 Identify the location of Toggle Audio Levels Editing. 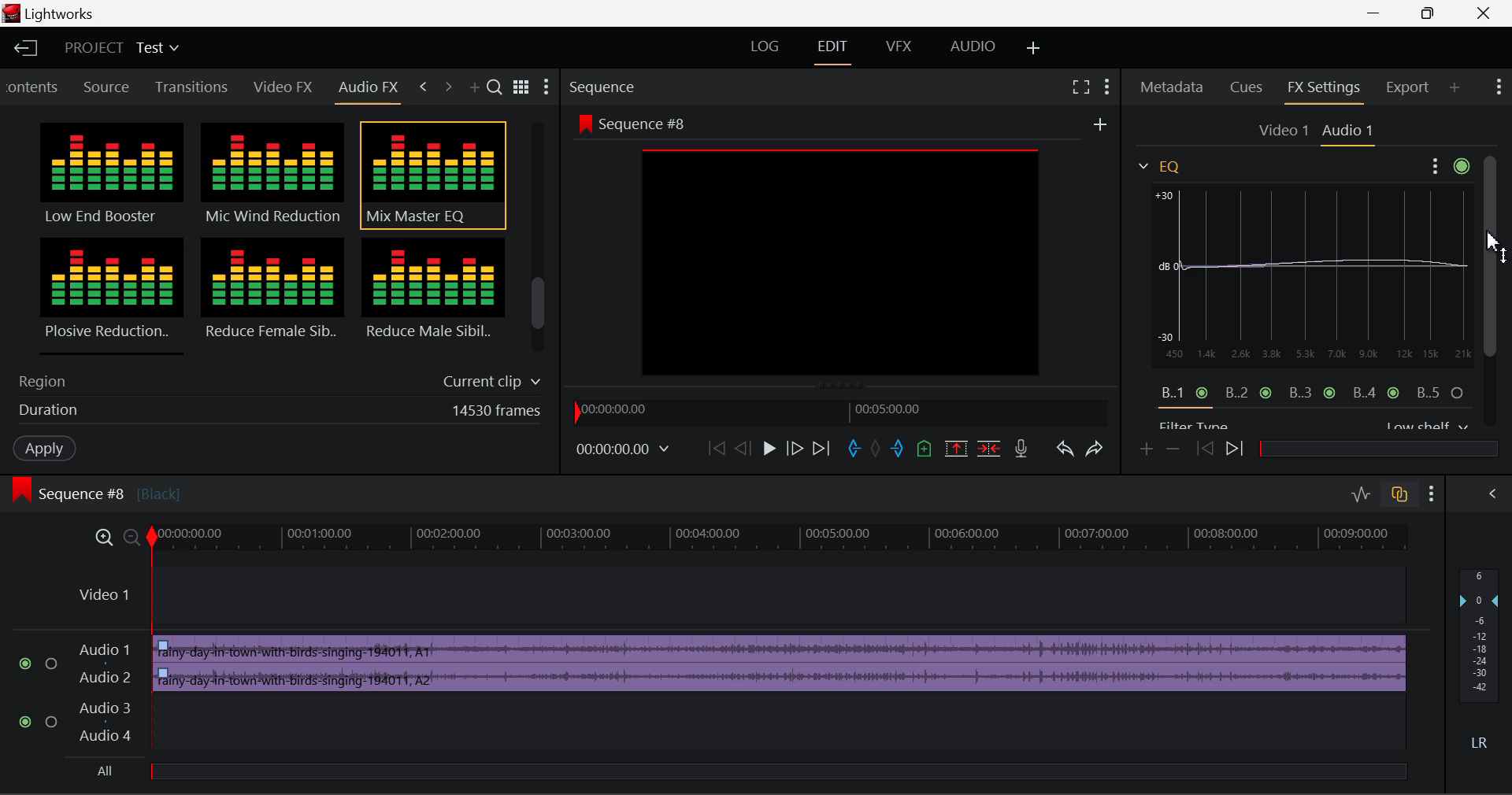
(1362, 495).